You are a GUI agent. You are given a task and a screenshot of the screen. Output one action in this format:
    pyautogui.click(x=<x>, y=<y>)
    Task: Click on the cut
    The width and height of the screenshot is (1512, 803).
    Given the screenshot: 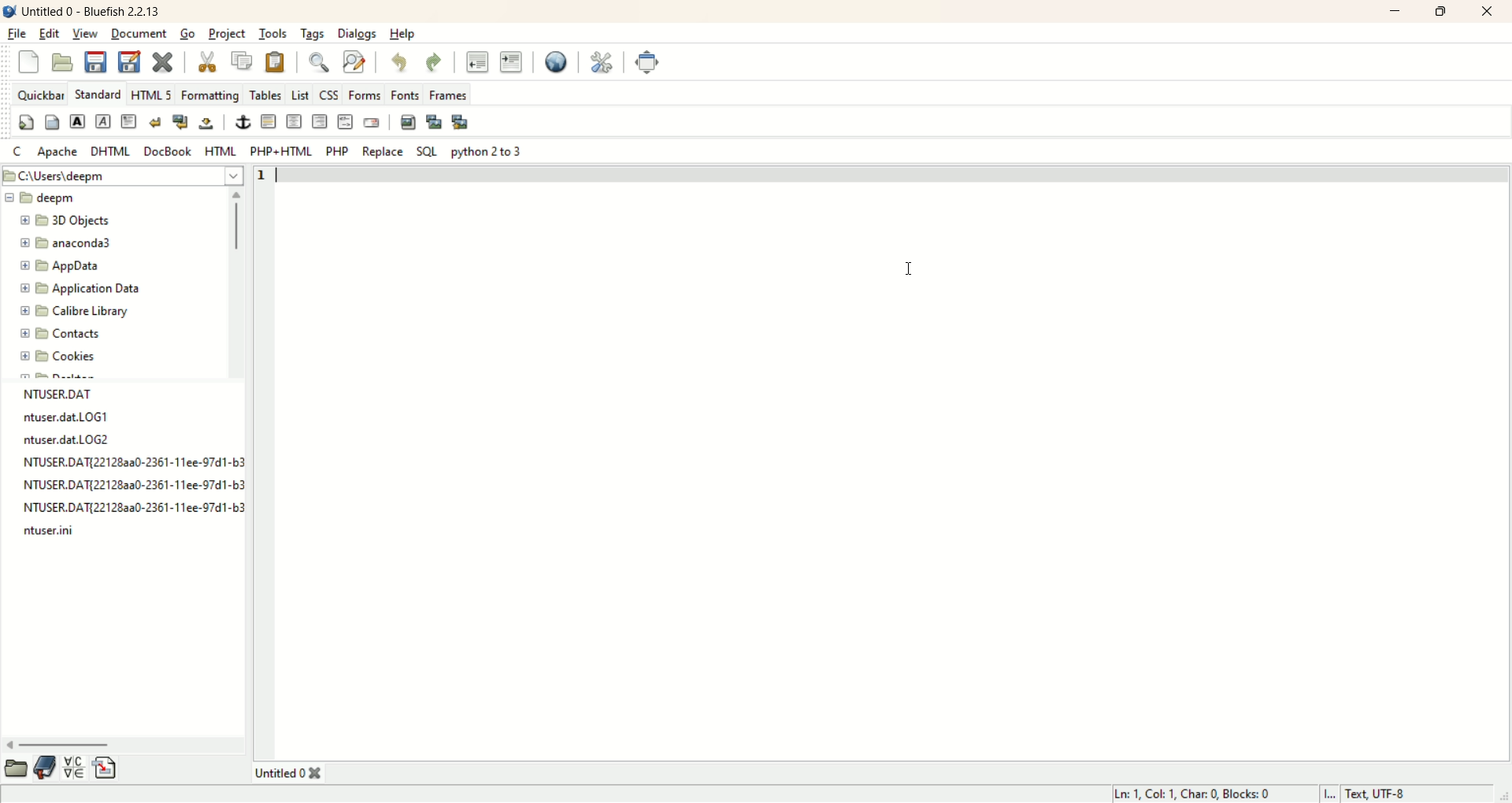 What is the action you would take?
    pyautogui.click(x=206, y=60)
    